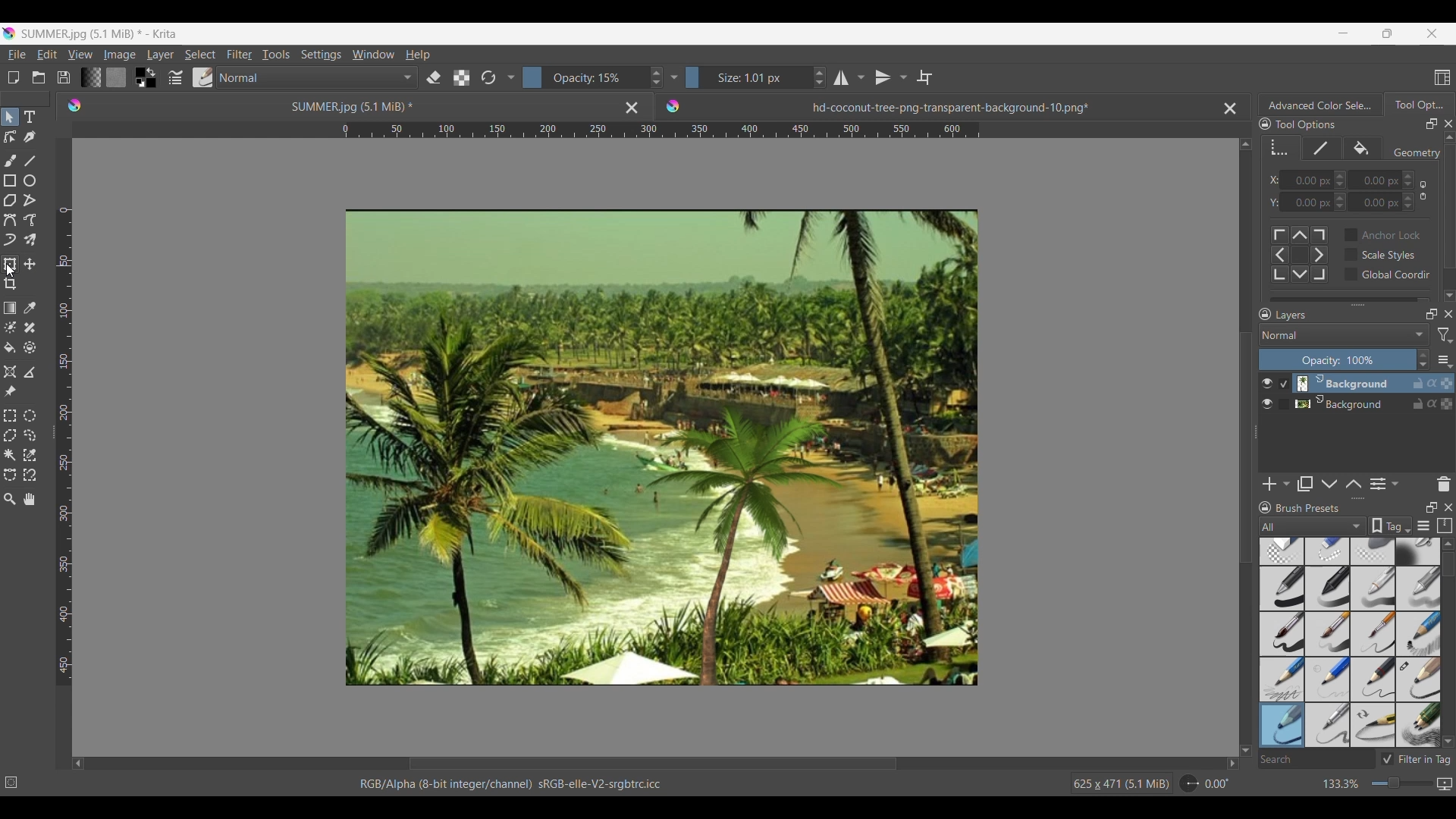  Describe the element at coordinates (1363, 149) in the screenshot. I see `Fill` at that location.